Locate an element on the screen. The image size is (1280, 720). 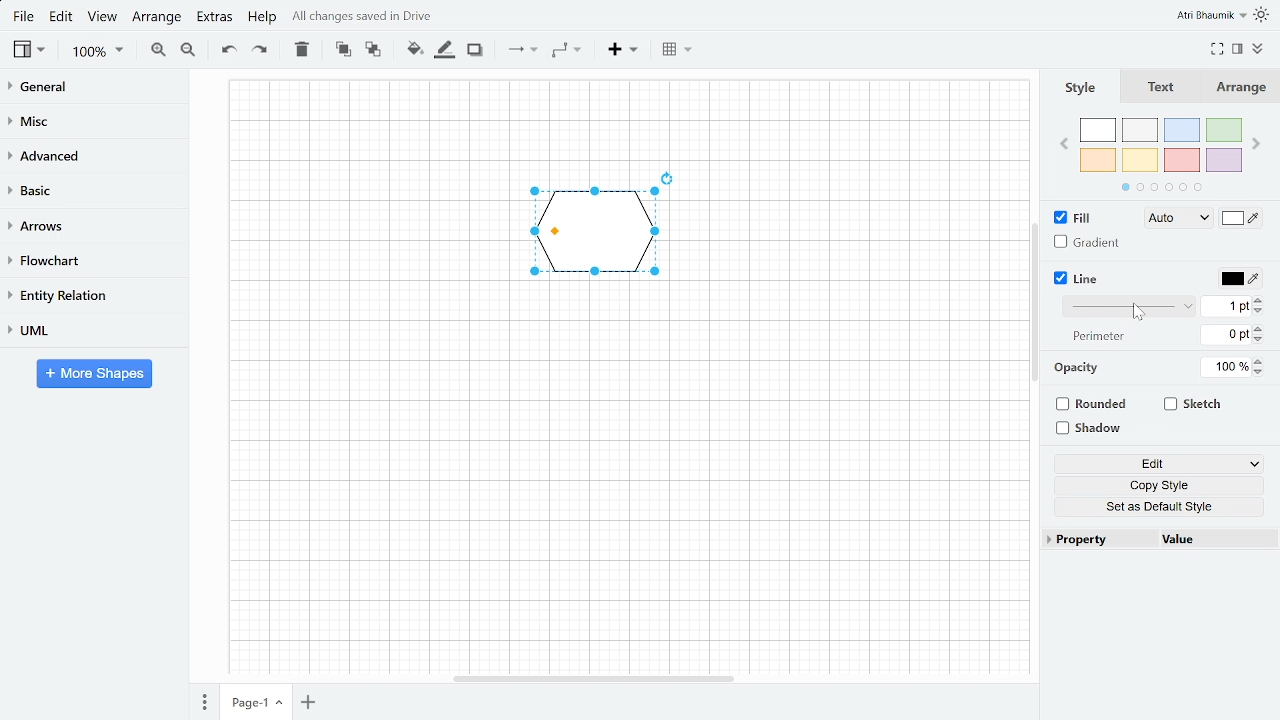
Horizontal scroll bar is located at coordinates (594, 679).